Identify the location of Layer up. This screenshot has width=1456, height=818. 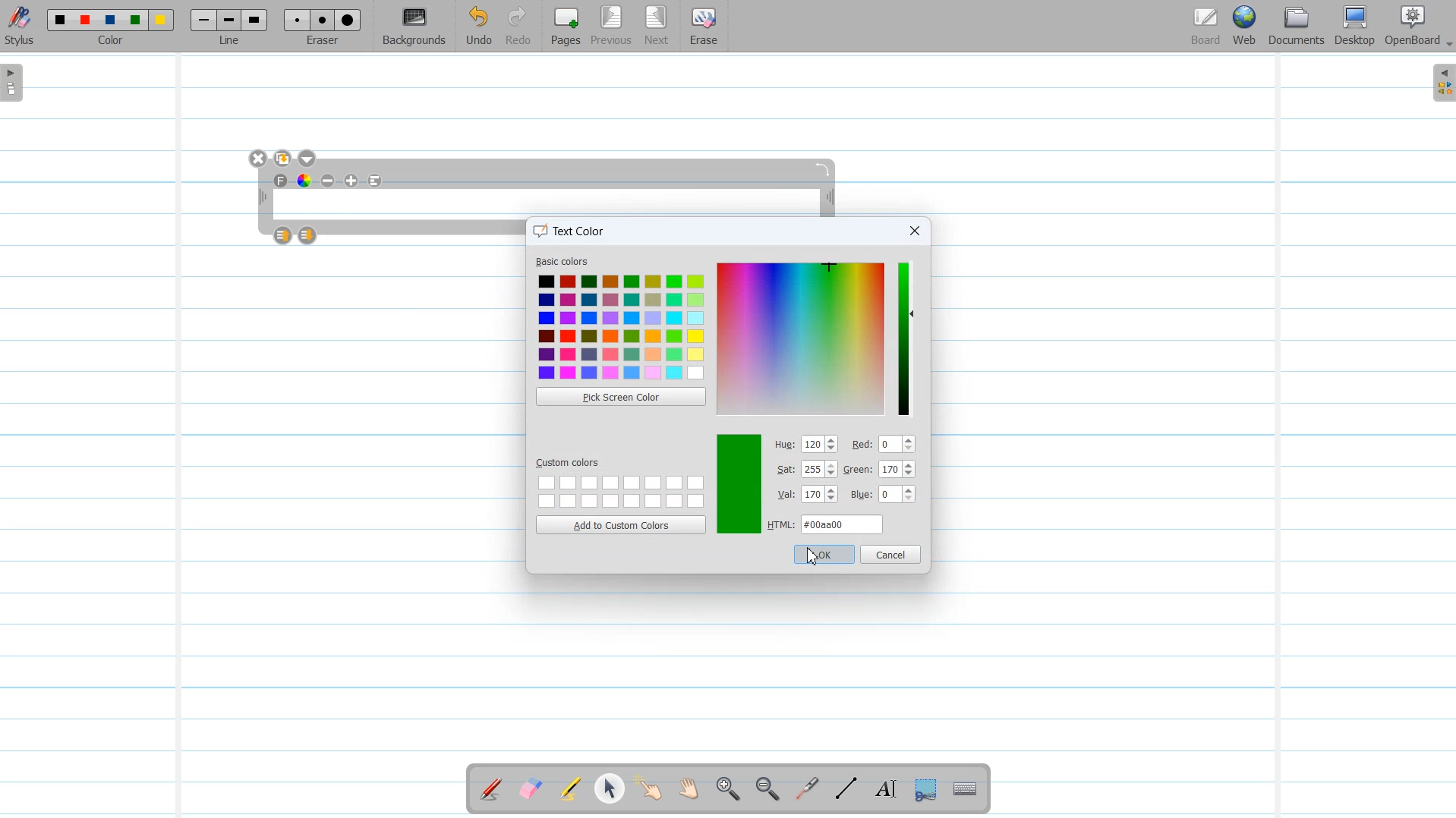
(284, 235).